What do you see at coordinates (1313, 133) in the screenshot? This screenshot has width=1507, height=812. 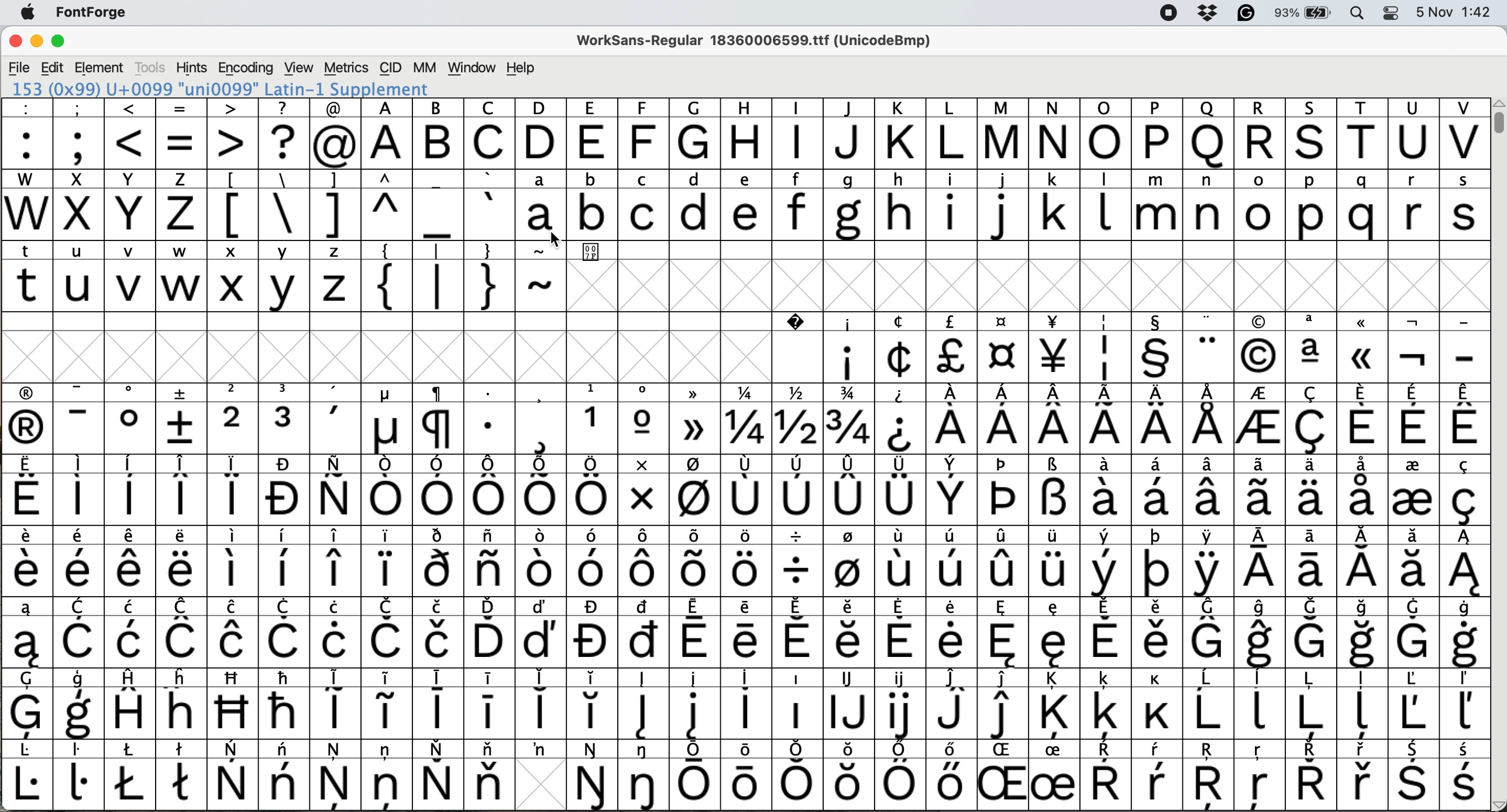 I see `` at bounding box center [1313, 133].